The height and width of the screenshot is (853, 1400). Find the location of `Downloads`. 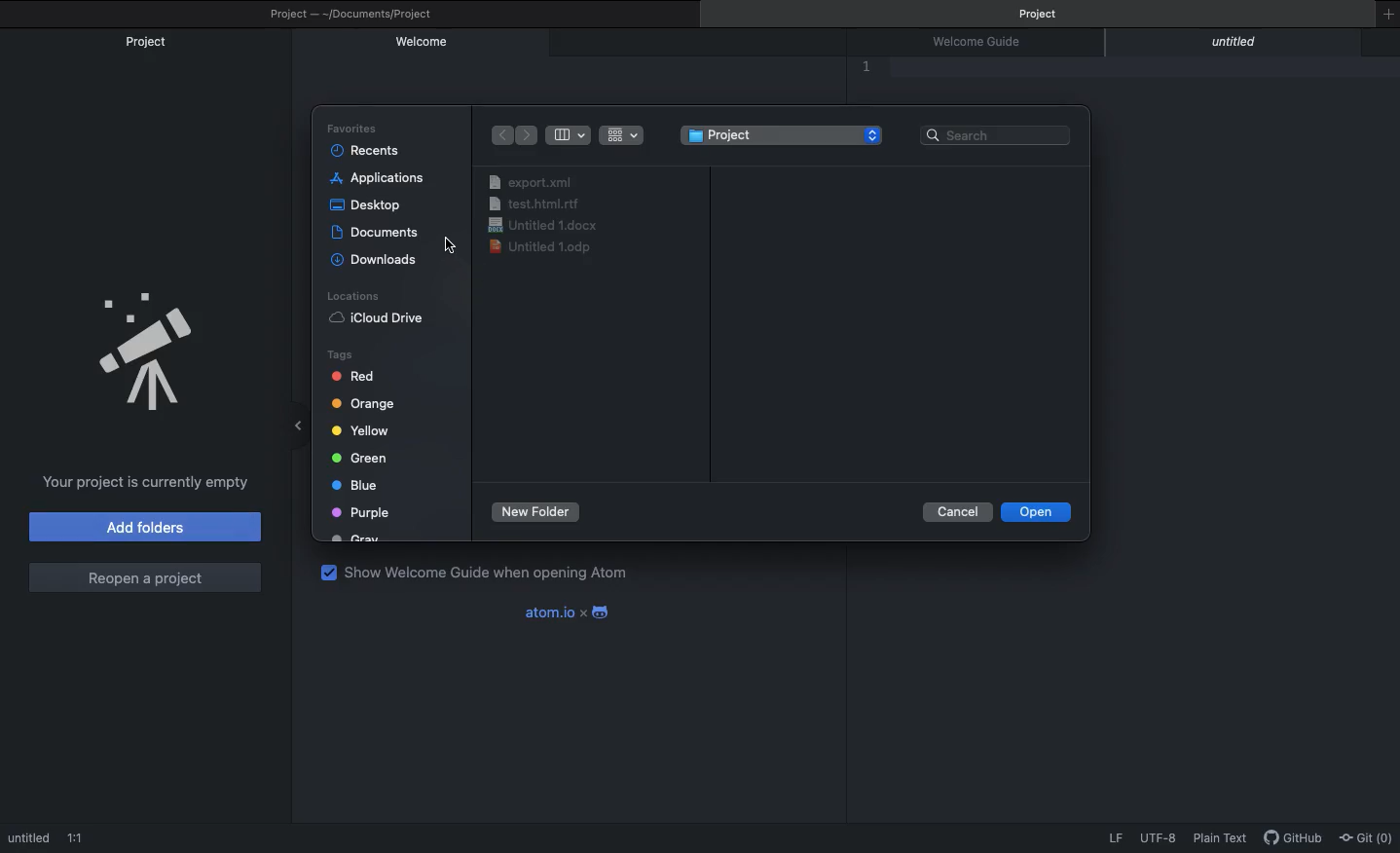

Downloads is located at coordinates (380, 260).